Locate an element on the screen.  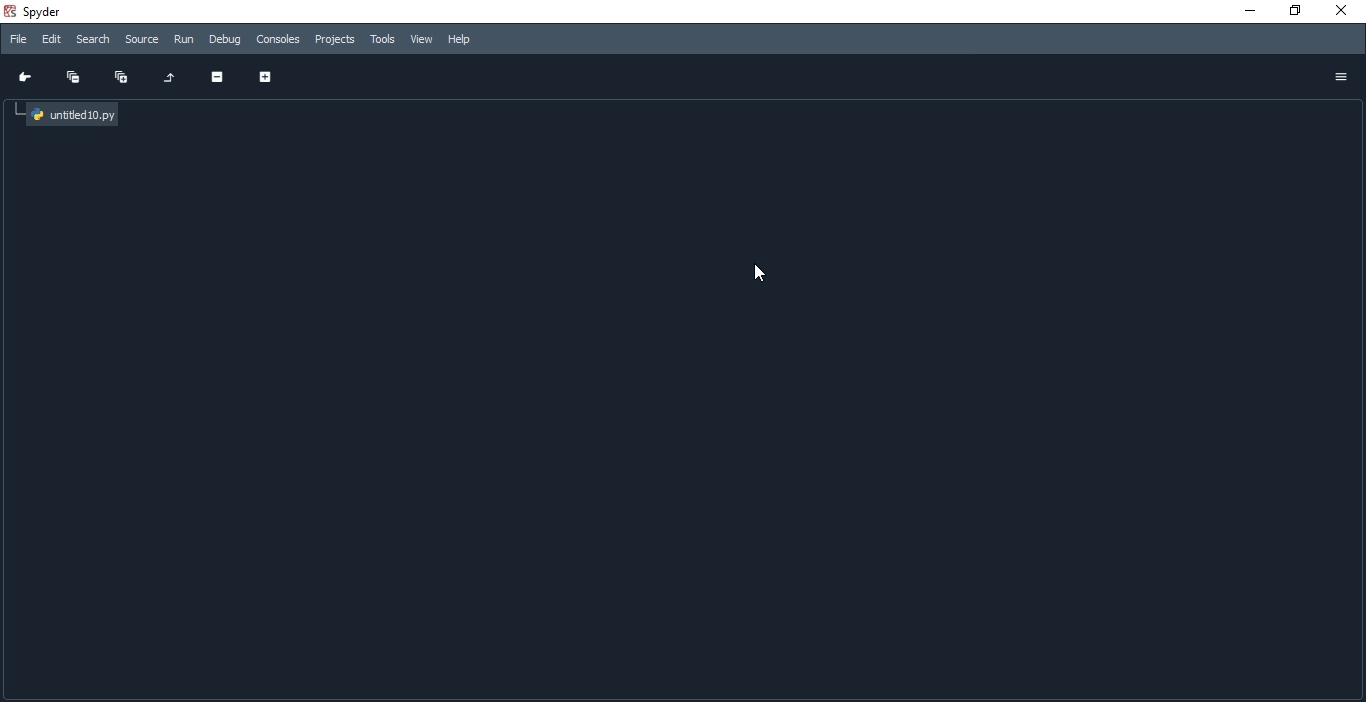
options is located at coordinates (1340, 77).